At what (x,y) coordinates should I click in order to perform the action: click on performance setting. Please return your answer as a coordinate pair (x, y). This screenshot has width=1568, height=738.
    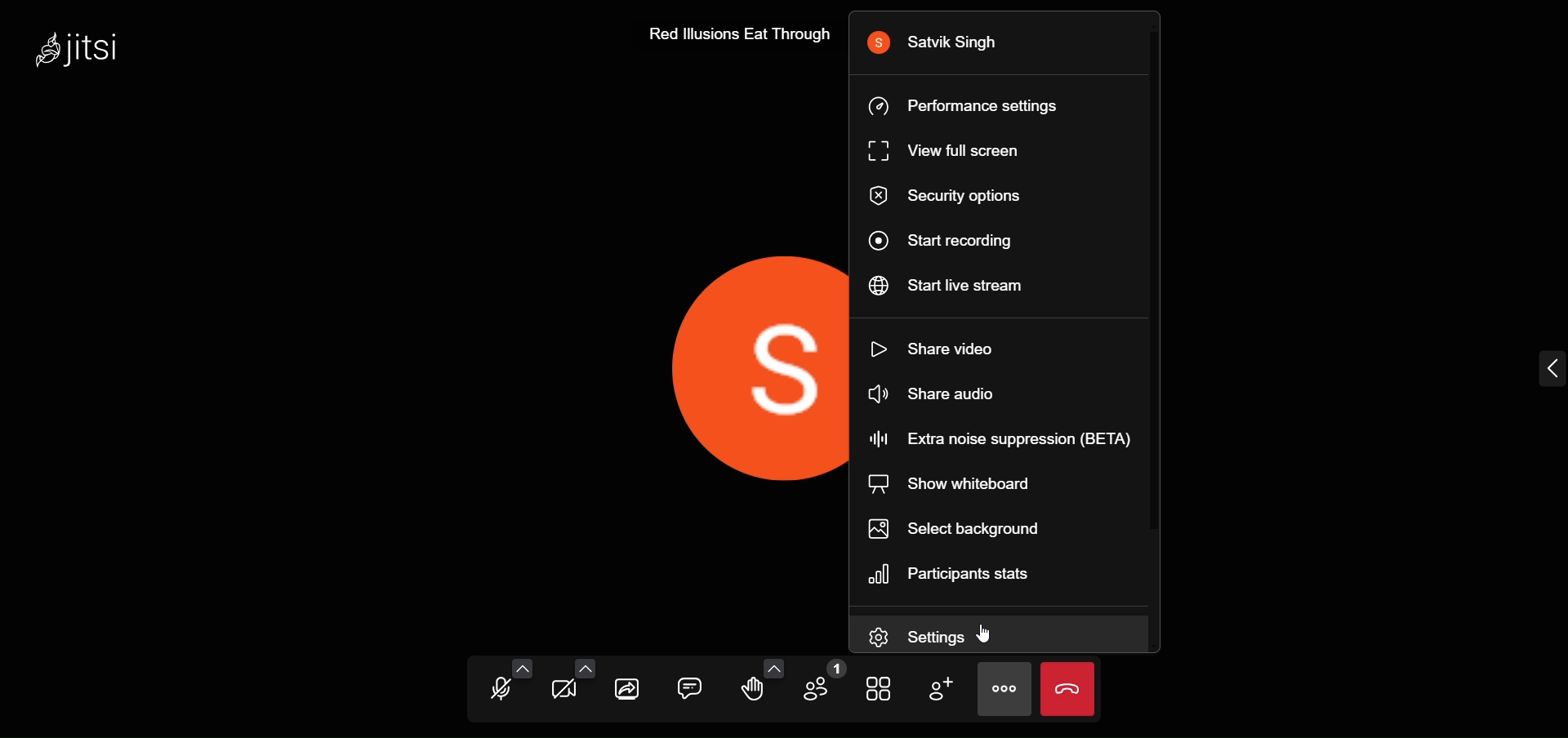
    Looking at the image, I should click on (972, 105).